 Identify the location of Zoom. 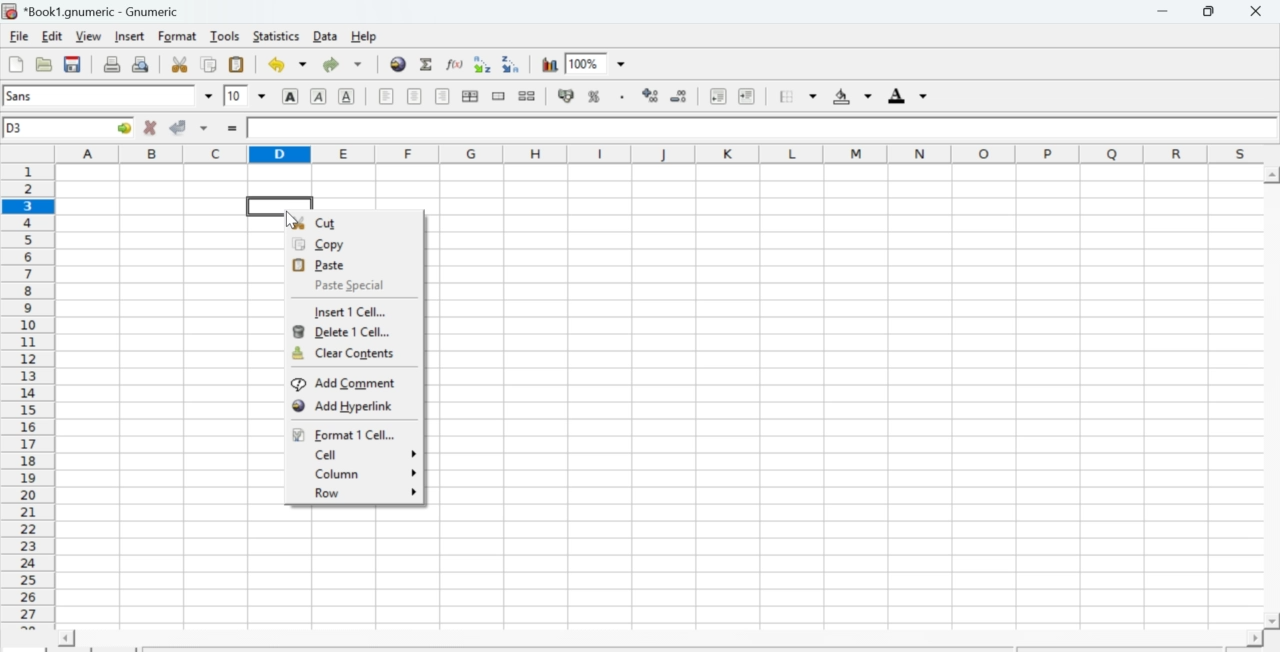
(586, 62).